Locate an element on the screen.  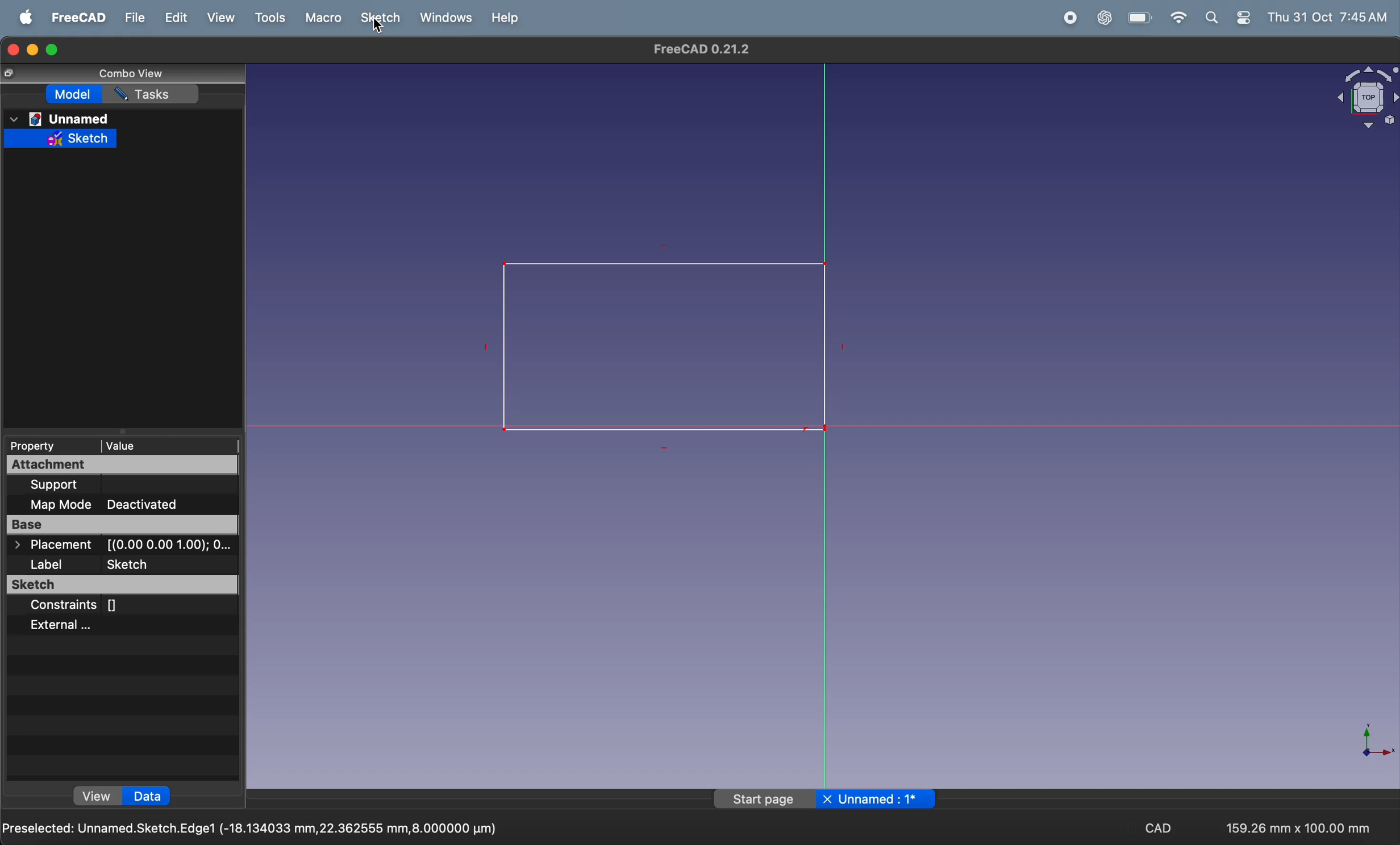
unnamed is located at coordinates (73, 118).